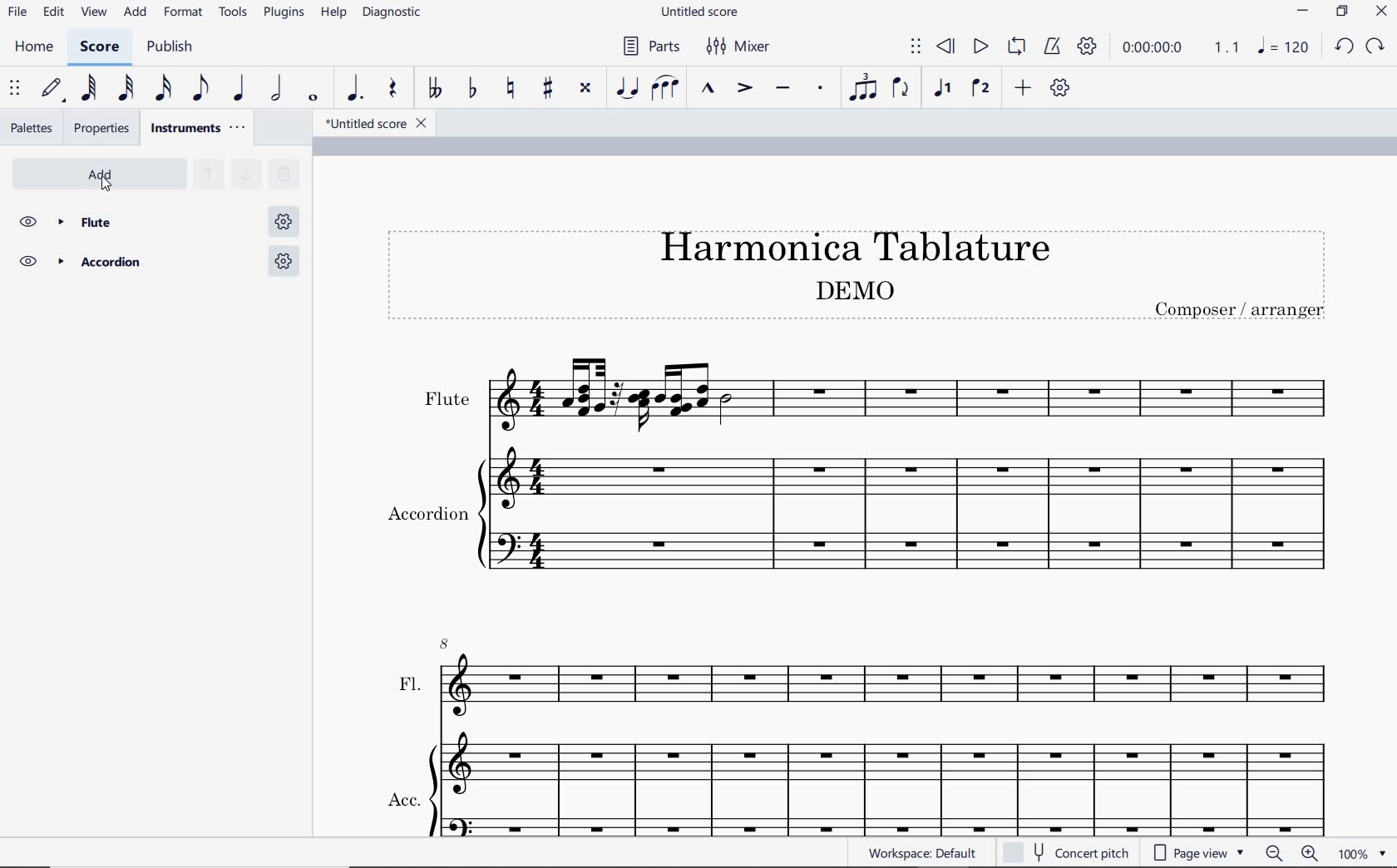 The height and width of the screenshot is (868, 1397). What do you see at coordinates (1064, 853) in the screenshot?
I see `concert pitch` at bounding box center [1064, 853].